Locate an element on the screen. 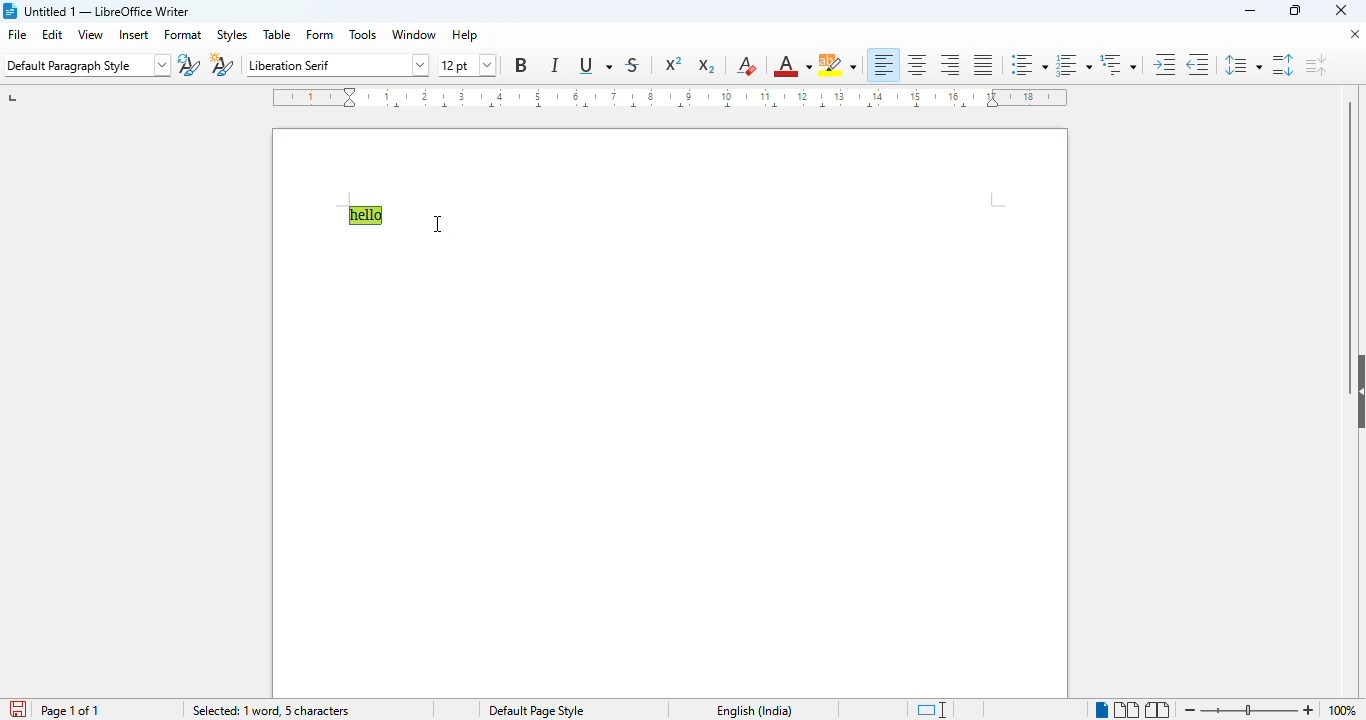  toggle ordered list is located at coordinates (1074, 64).